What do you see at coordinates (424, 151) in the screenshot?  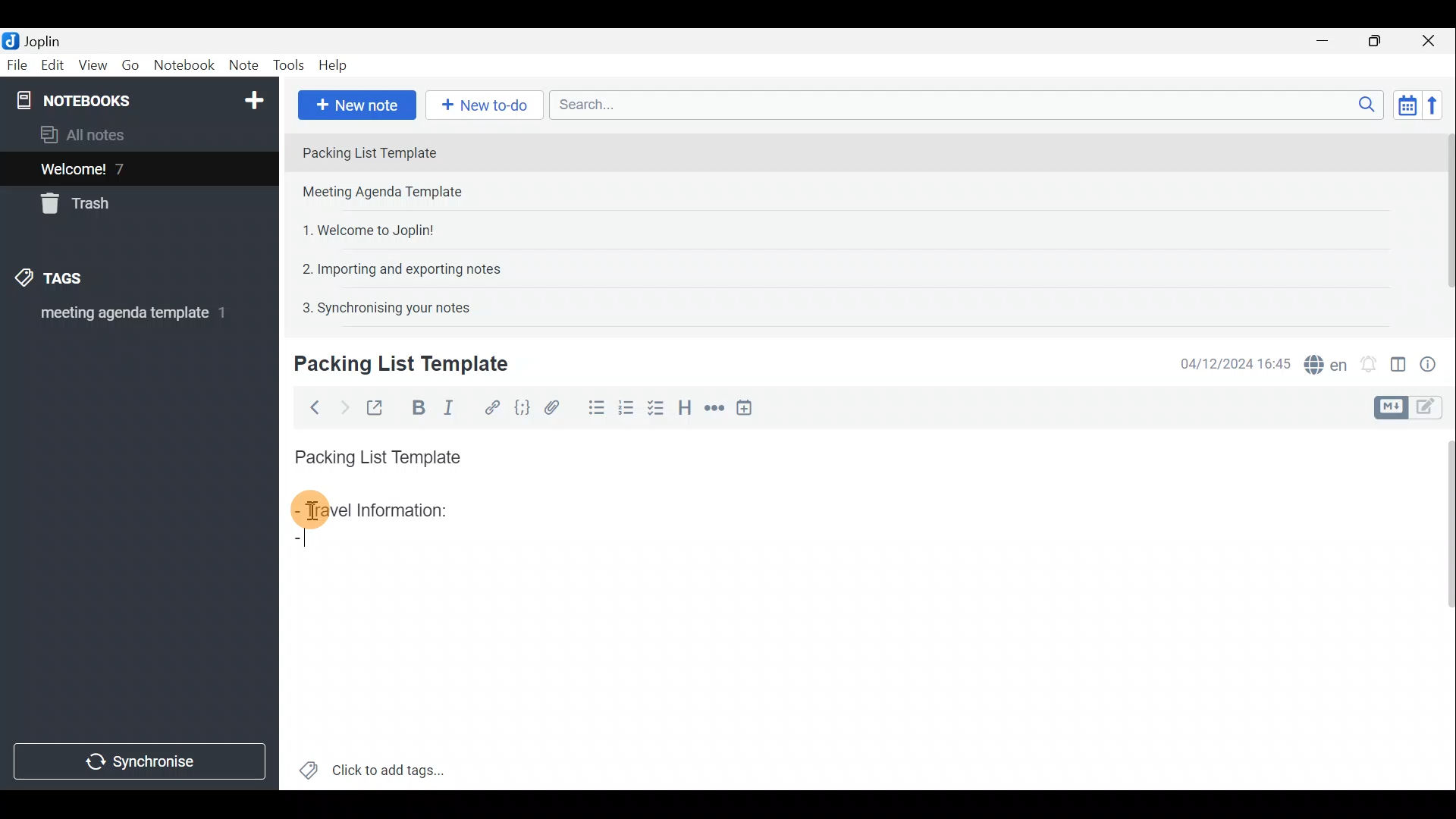 I see `Note 1` at bounding box center [424, 151].